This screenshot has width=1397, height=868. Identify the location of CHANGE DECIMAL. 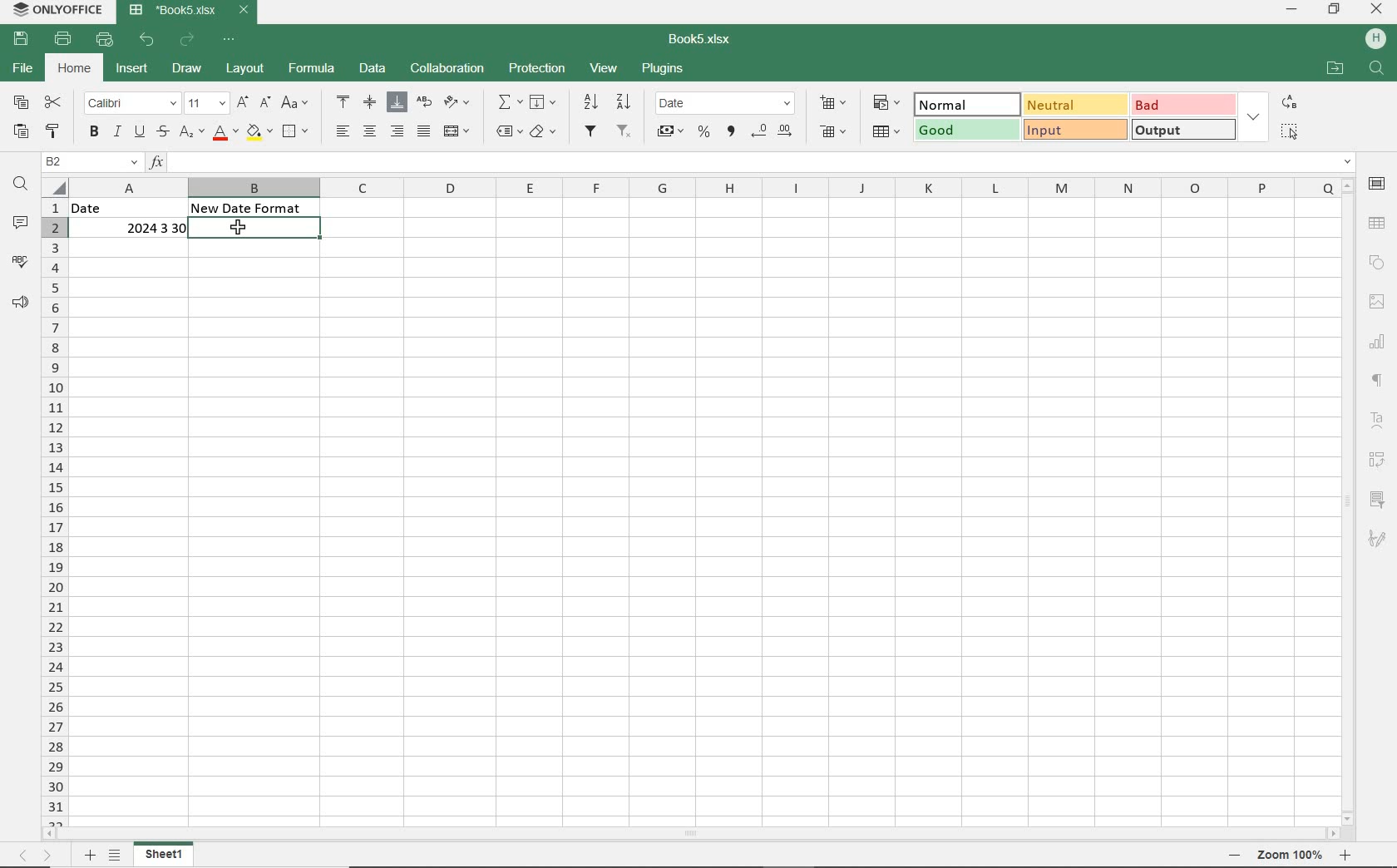
(775, 131).